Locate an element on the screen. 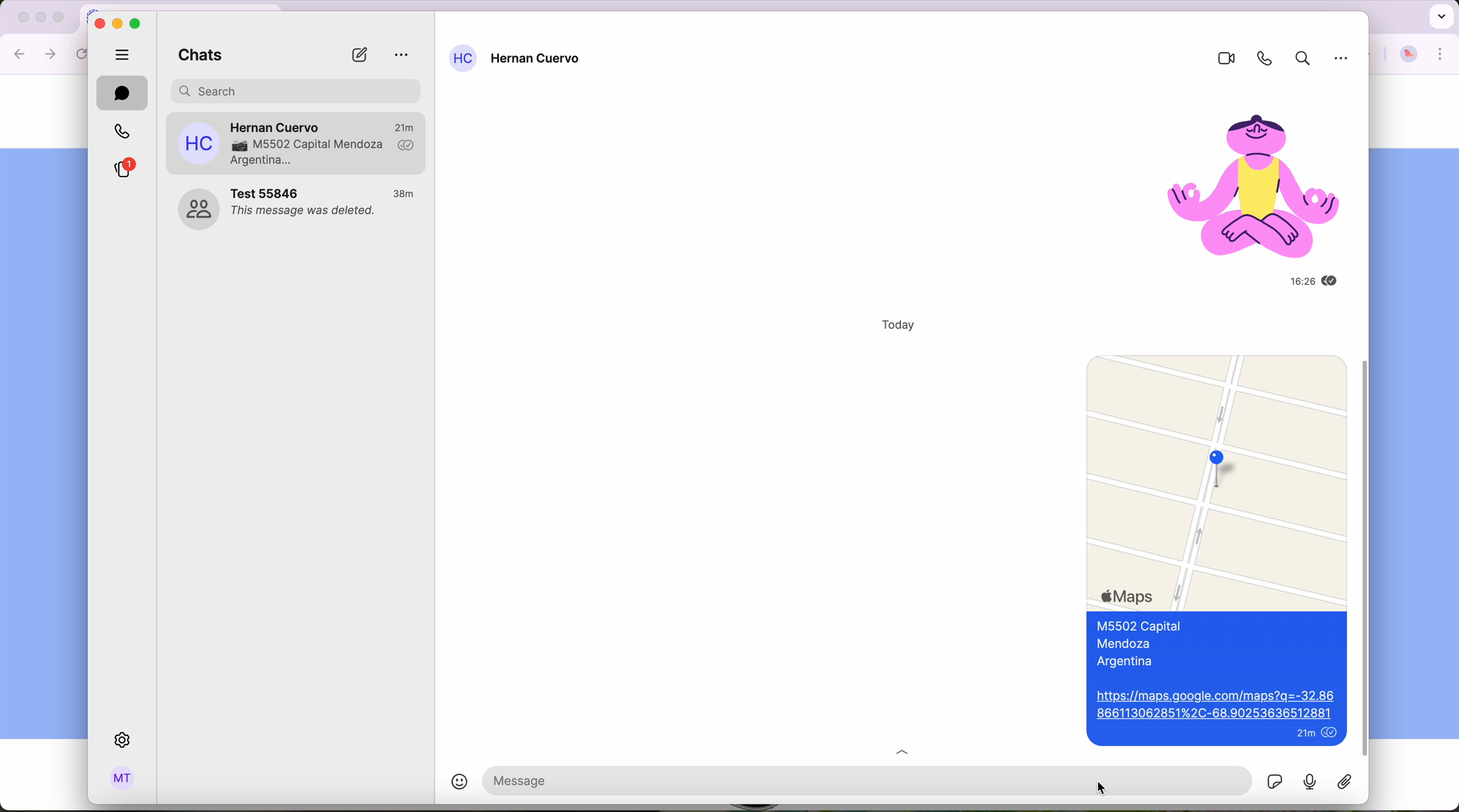  chats is located at coordinates (196, 57).